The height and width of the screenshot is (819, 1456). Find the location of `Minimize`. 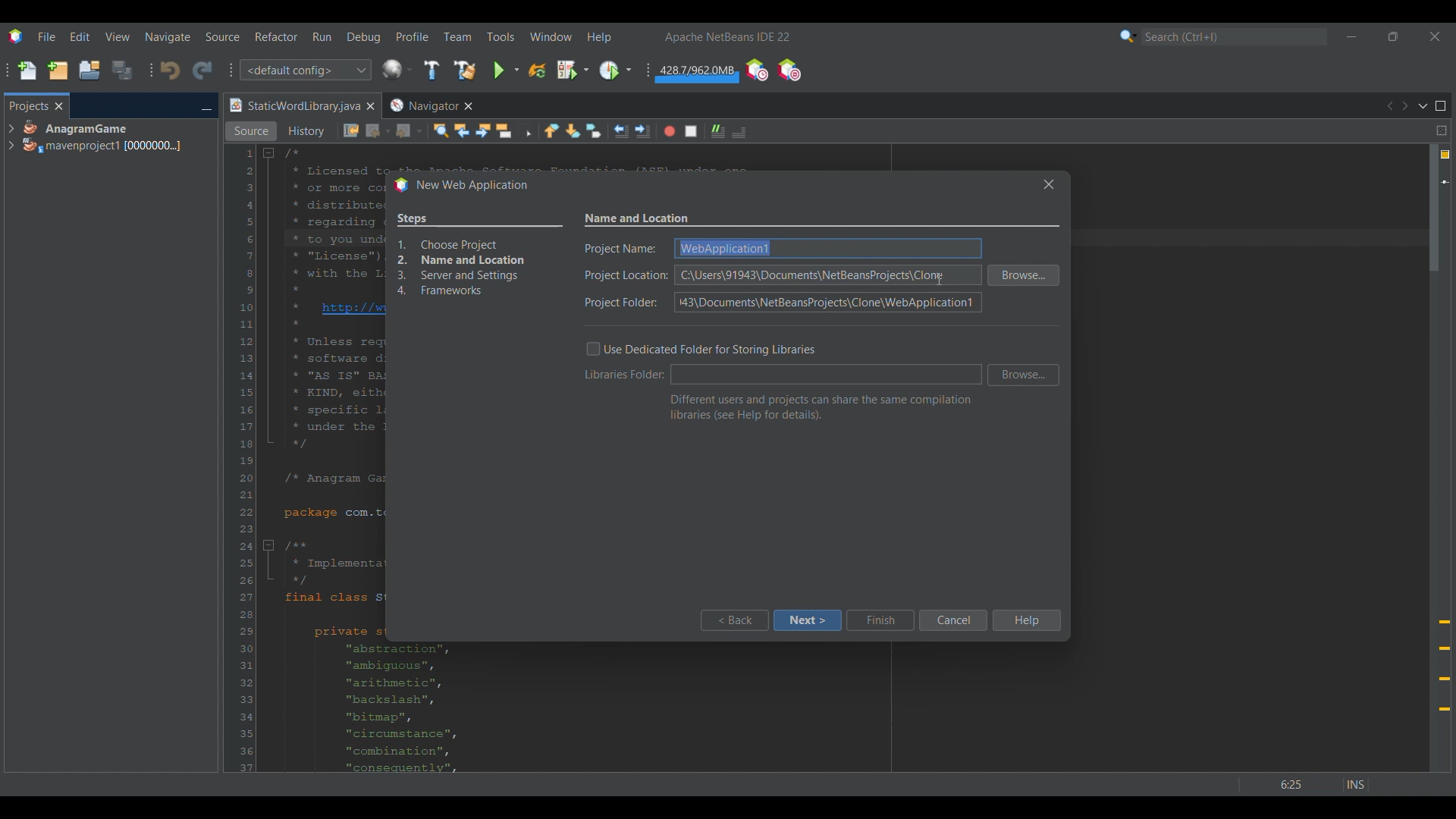

Minimize is located at coordinates (1351, 36).